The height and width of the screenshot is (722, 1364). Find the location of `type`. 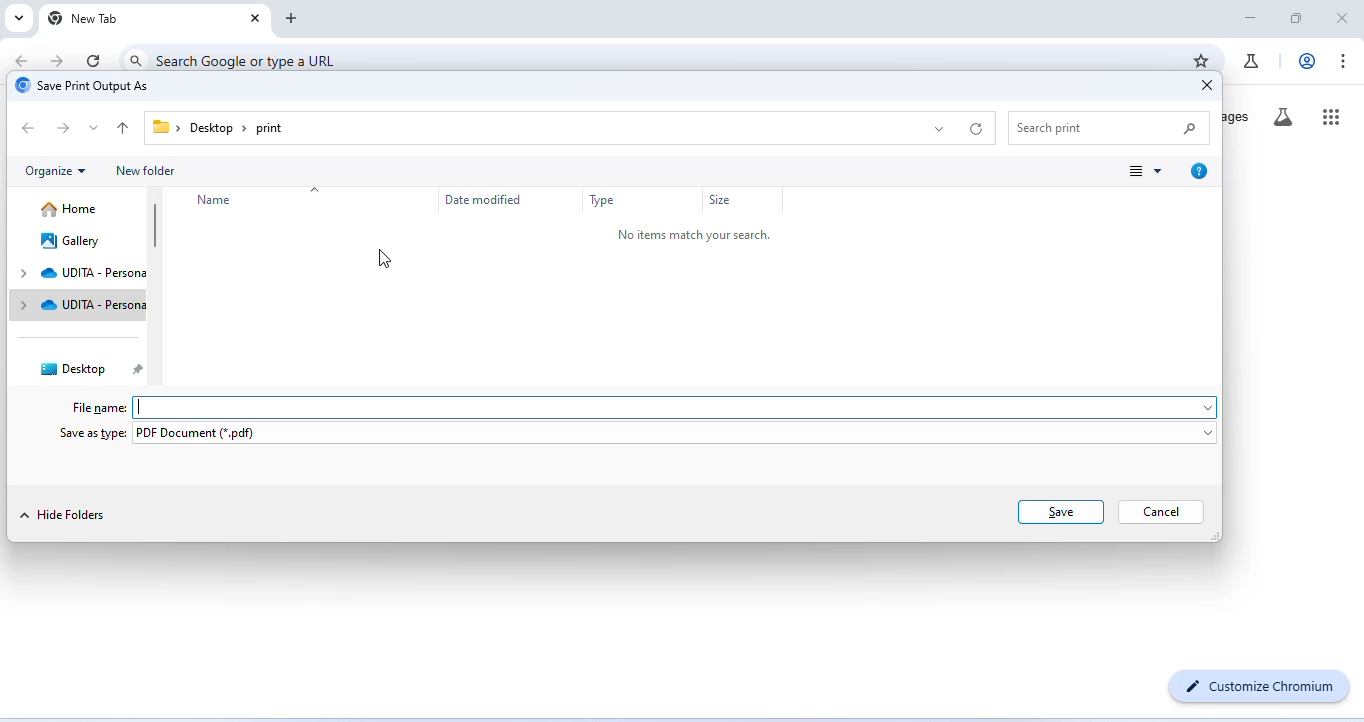

type is located at coordinates (604, 201).